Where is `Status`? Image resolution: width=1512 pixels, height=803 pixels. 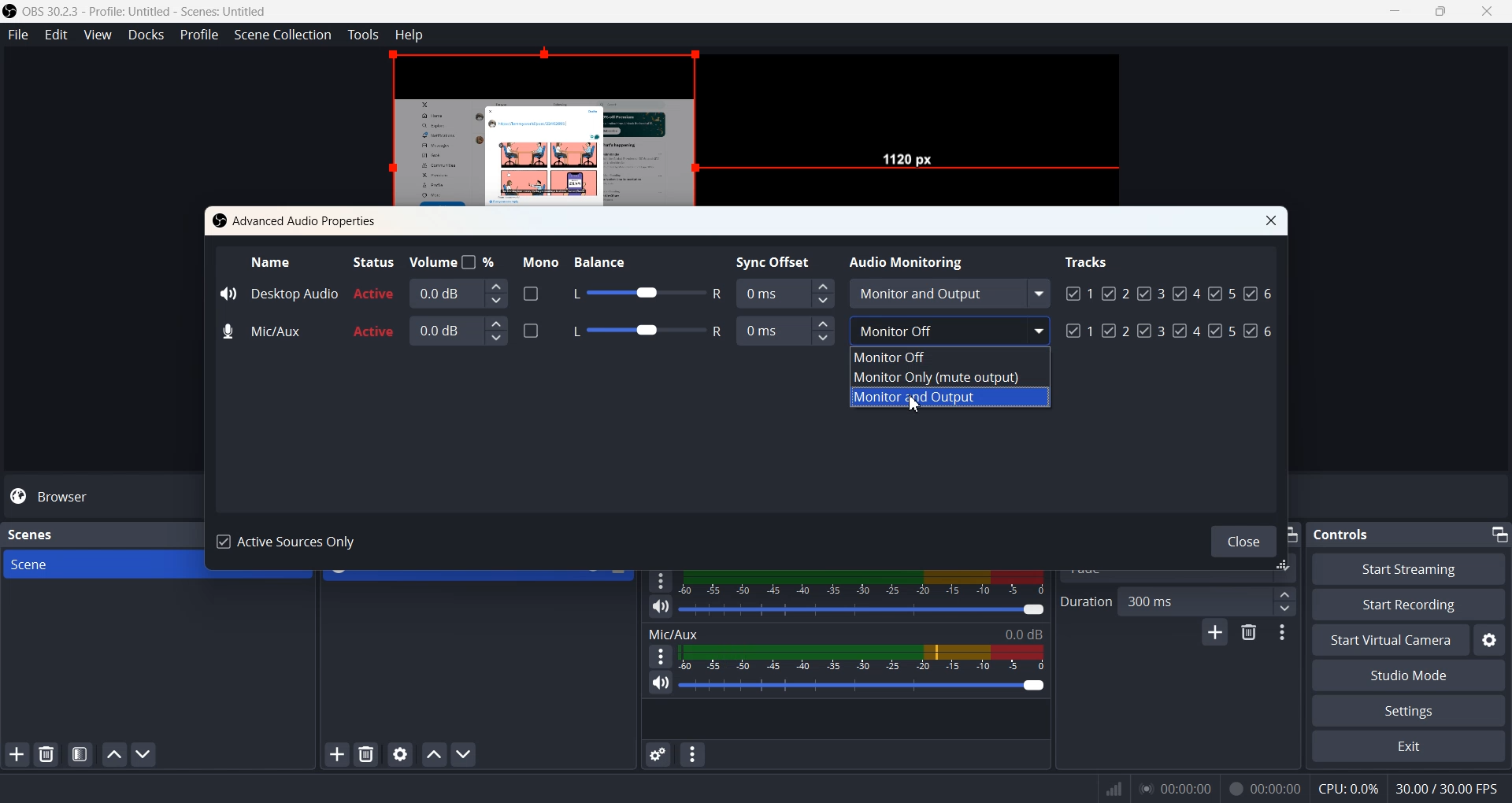
Status is located at coordinates (372, 261).